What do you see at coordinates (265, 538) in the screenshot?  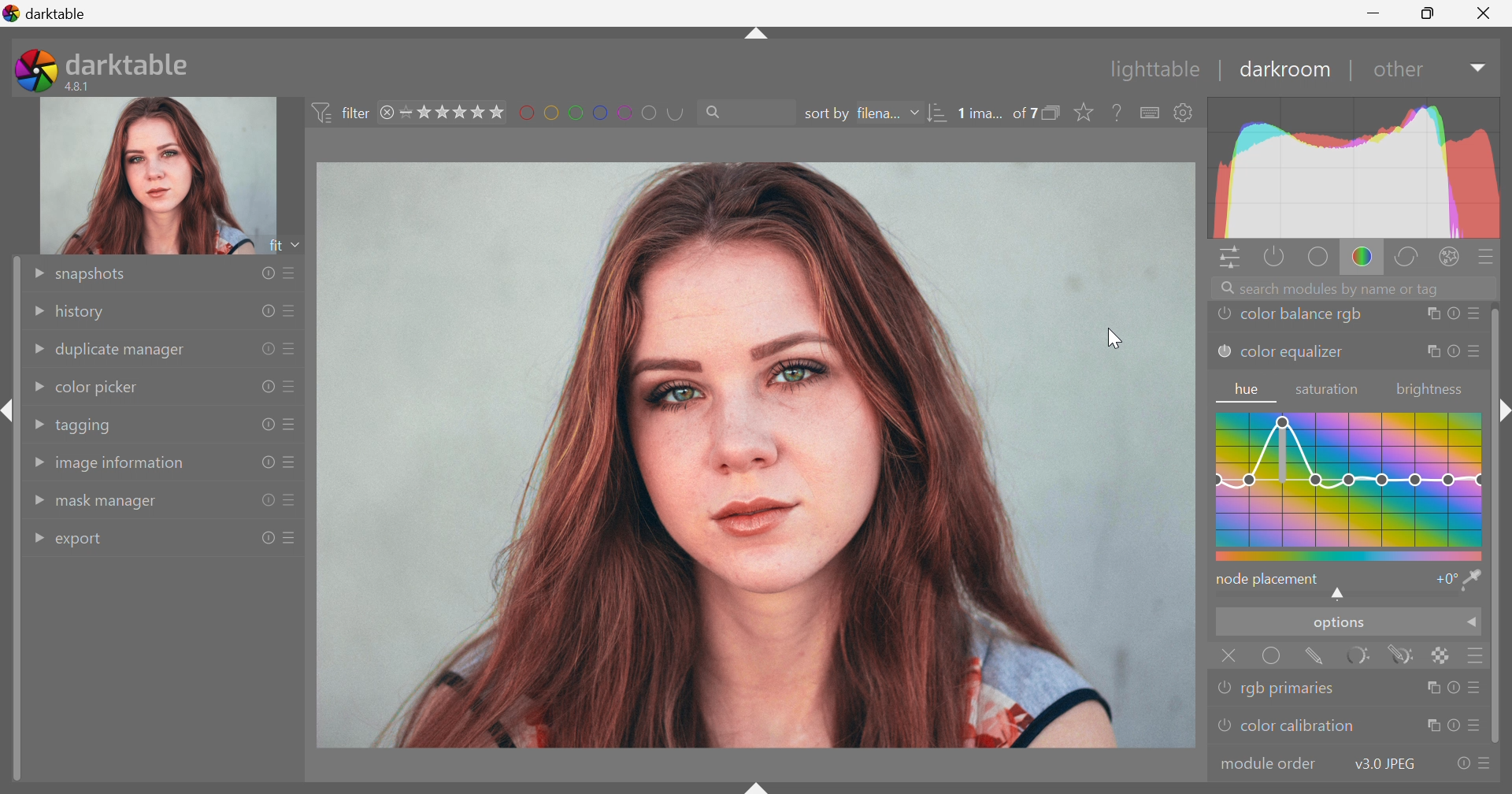 I see `reset` at bounding box center [265, 538].